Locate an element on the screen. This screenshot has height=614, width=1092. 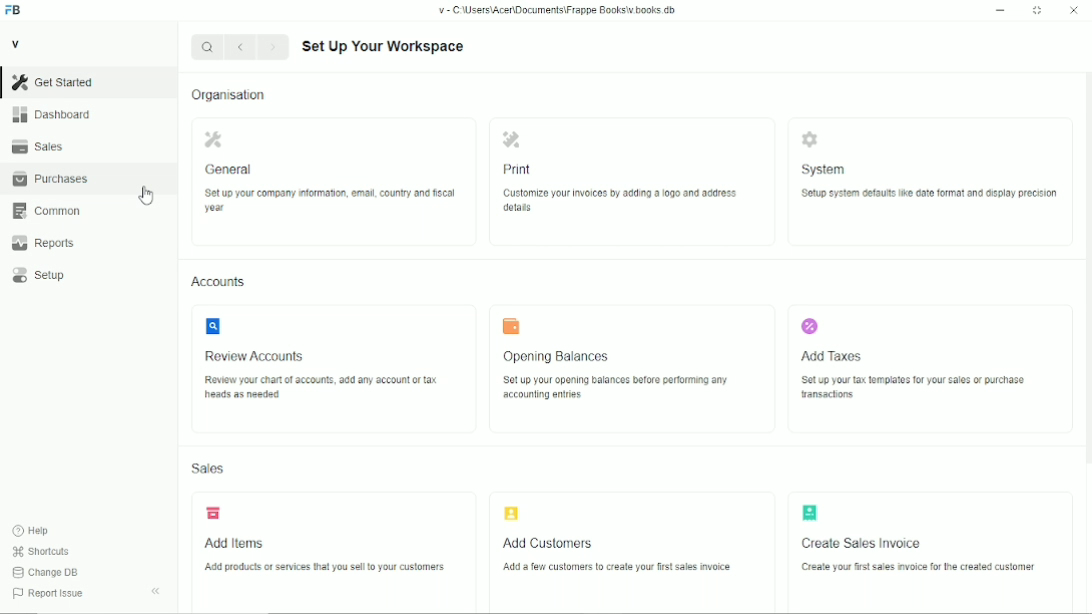
Sales is located at coordinates (207, 468).